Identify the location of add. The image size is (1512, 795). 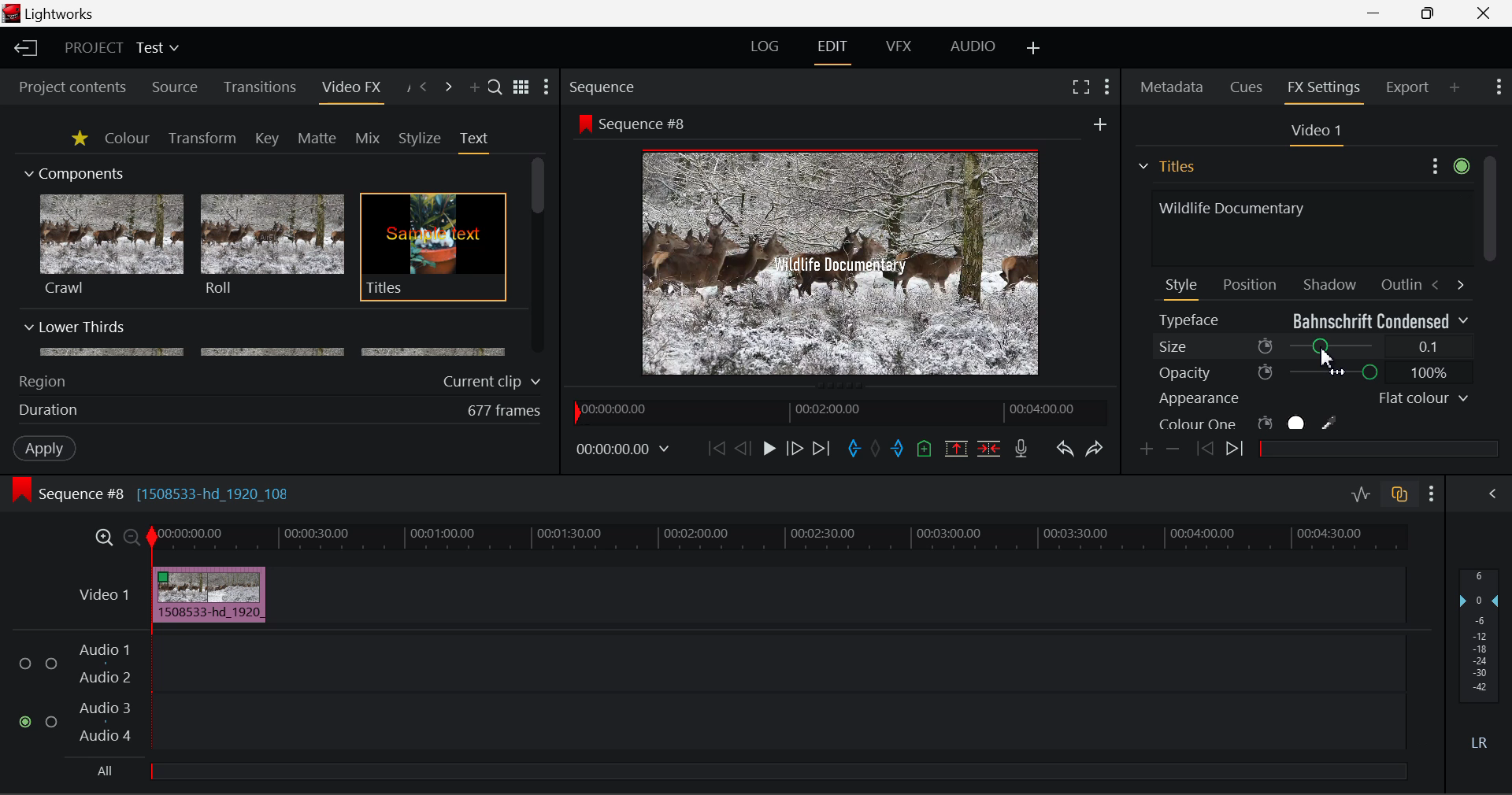
(1100, 124).